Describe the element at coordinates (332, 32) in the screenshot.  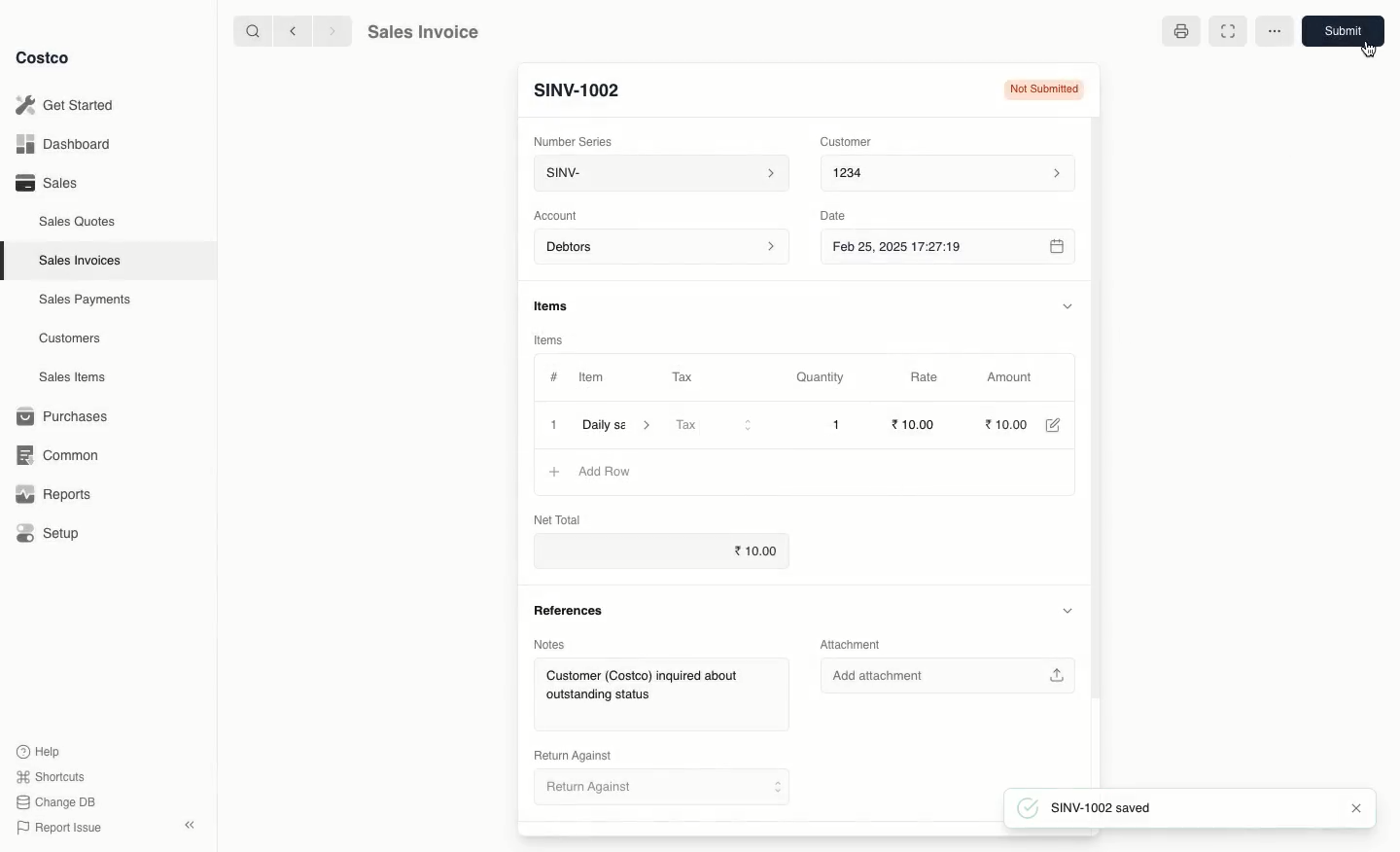
I see `Forward` at that location.